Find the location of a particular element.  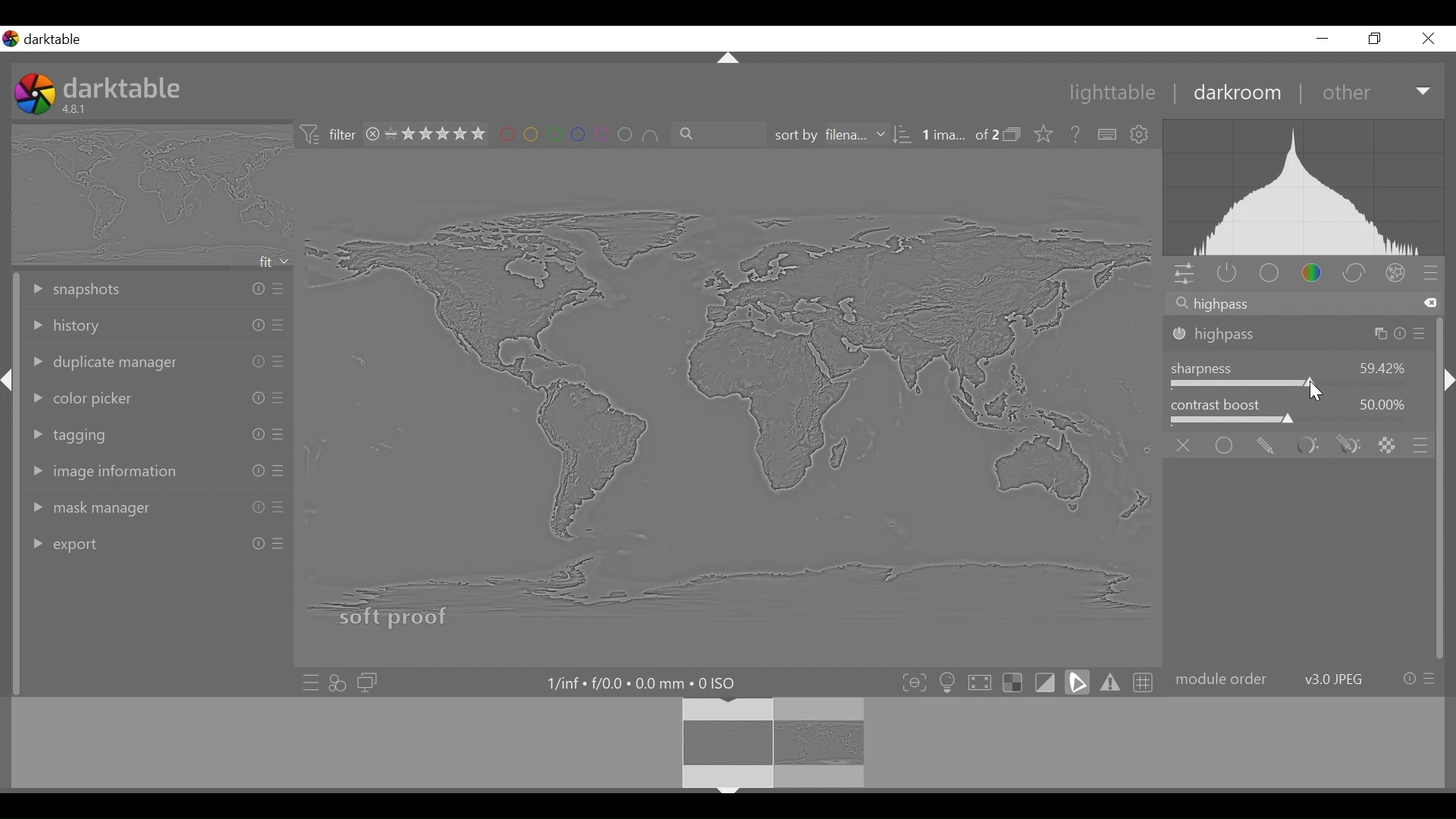

show global preferences is located at coordinates (1143, 136).